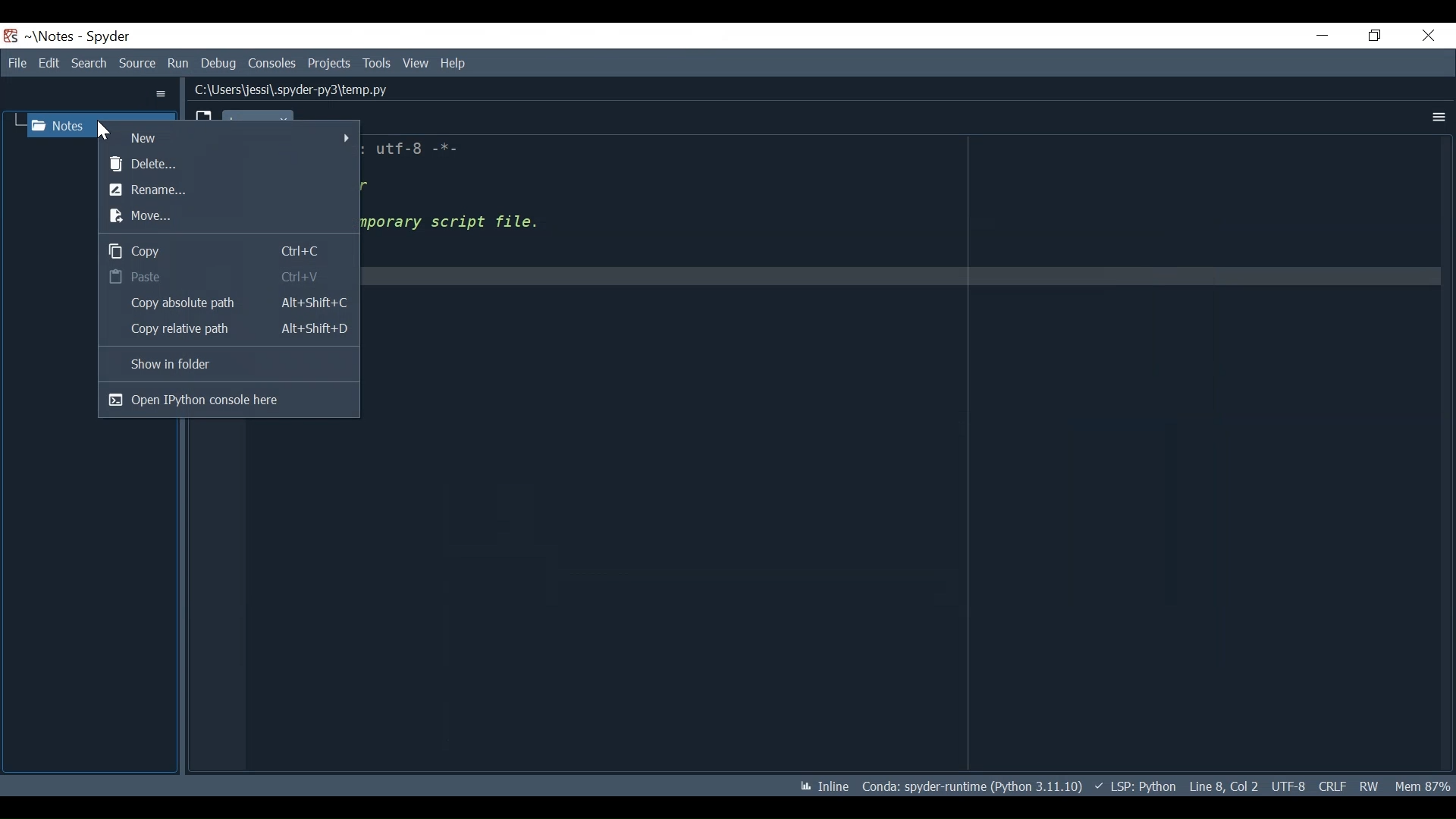 This screenshot has height=819, width=1456. Describe the element at coordinates (272, 64) in the screenshot. I see `Consoles` at that location.